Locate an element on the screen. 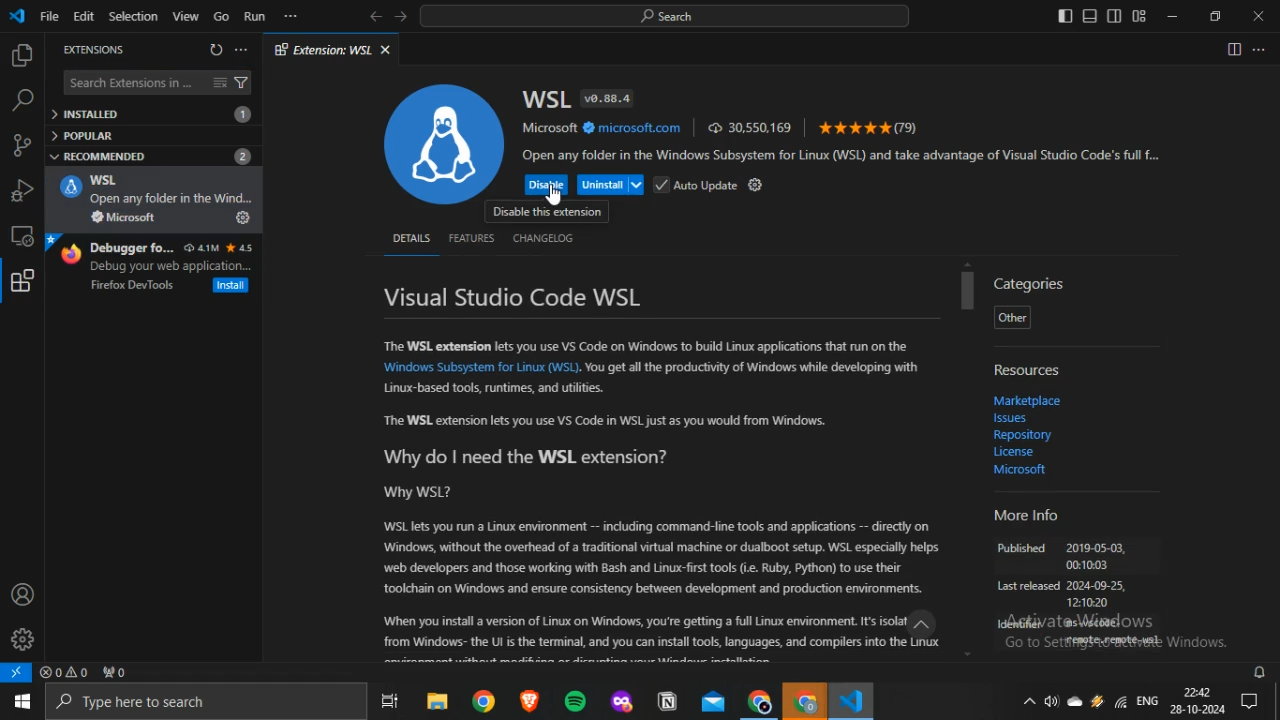 The height and width of the screenshot is (720, 1280). VScode is located at coordinates (850, 700).